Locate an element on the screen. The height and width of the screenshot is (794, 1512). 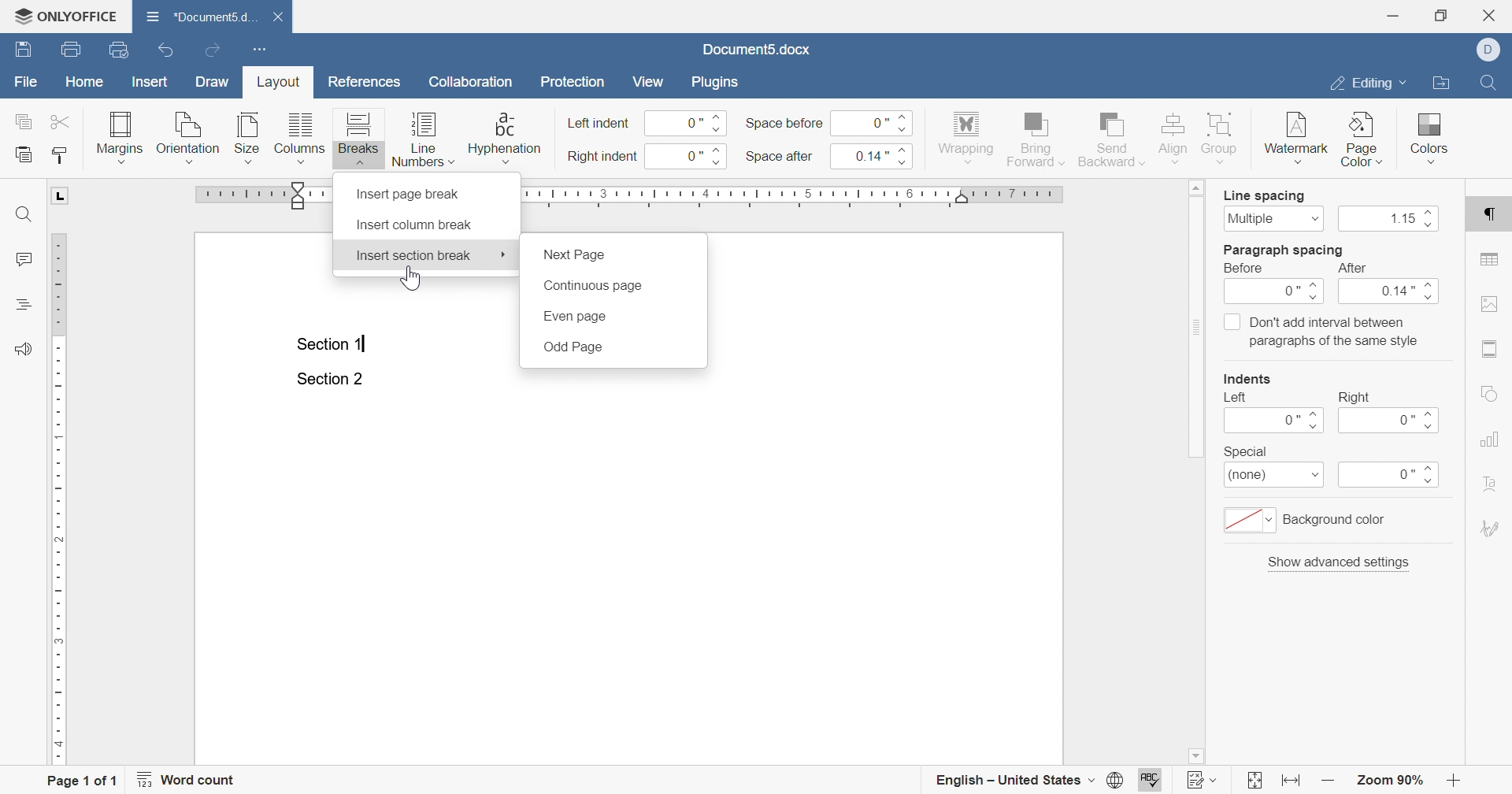
copy is located at coordinates (21, 121).